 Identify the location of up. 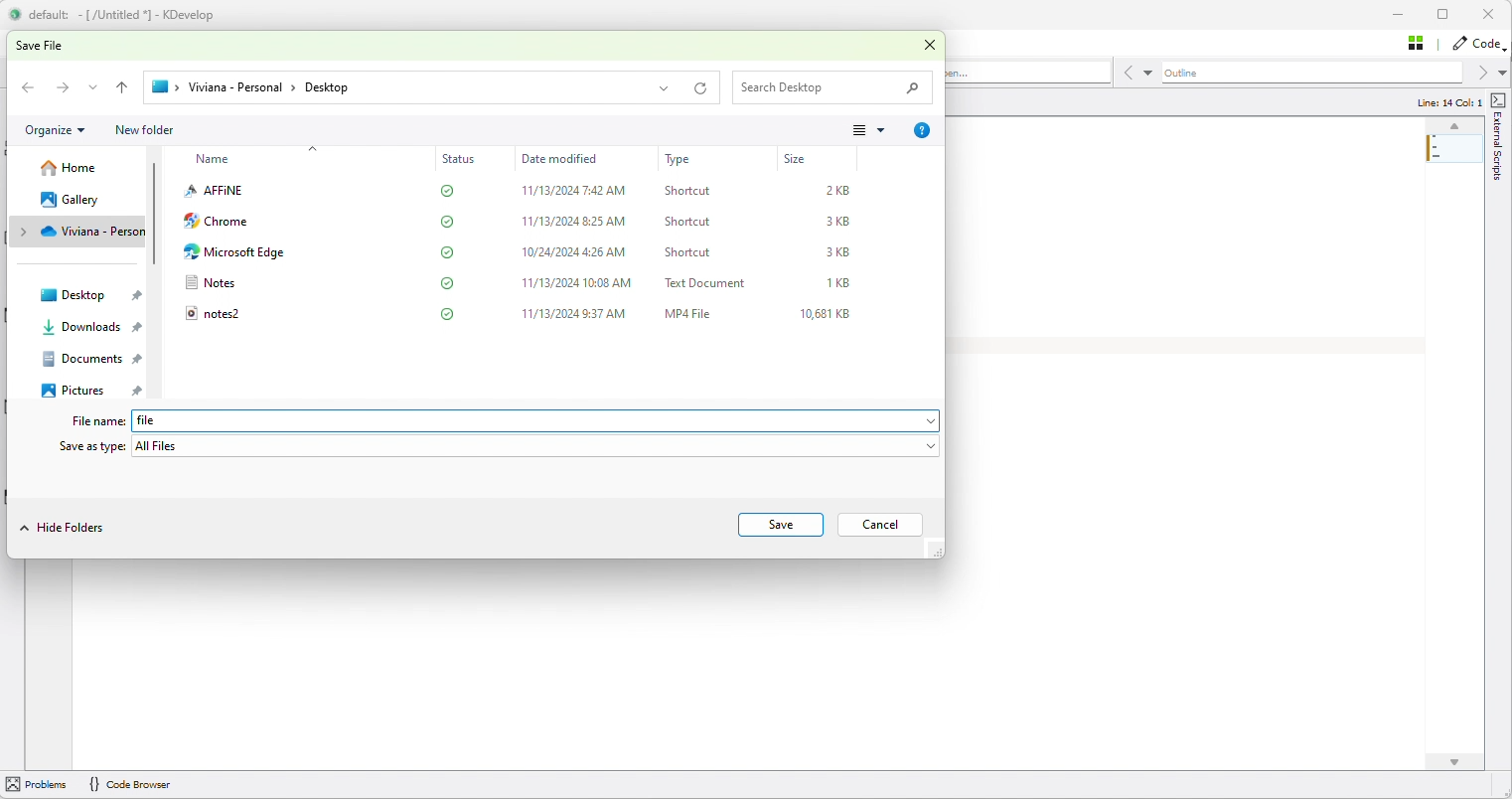
(1453, 126).